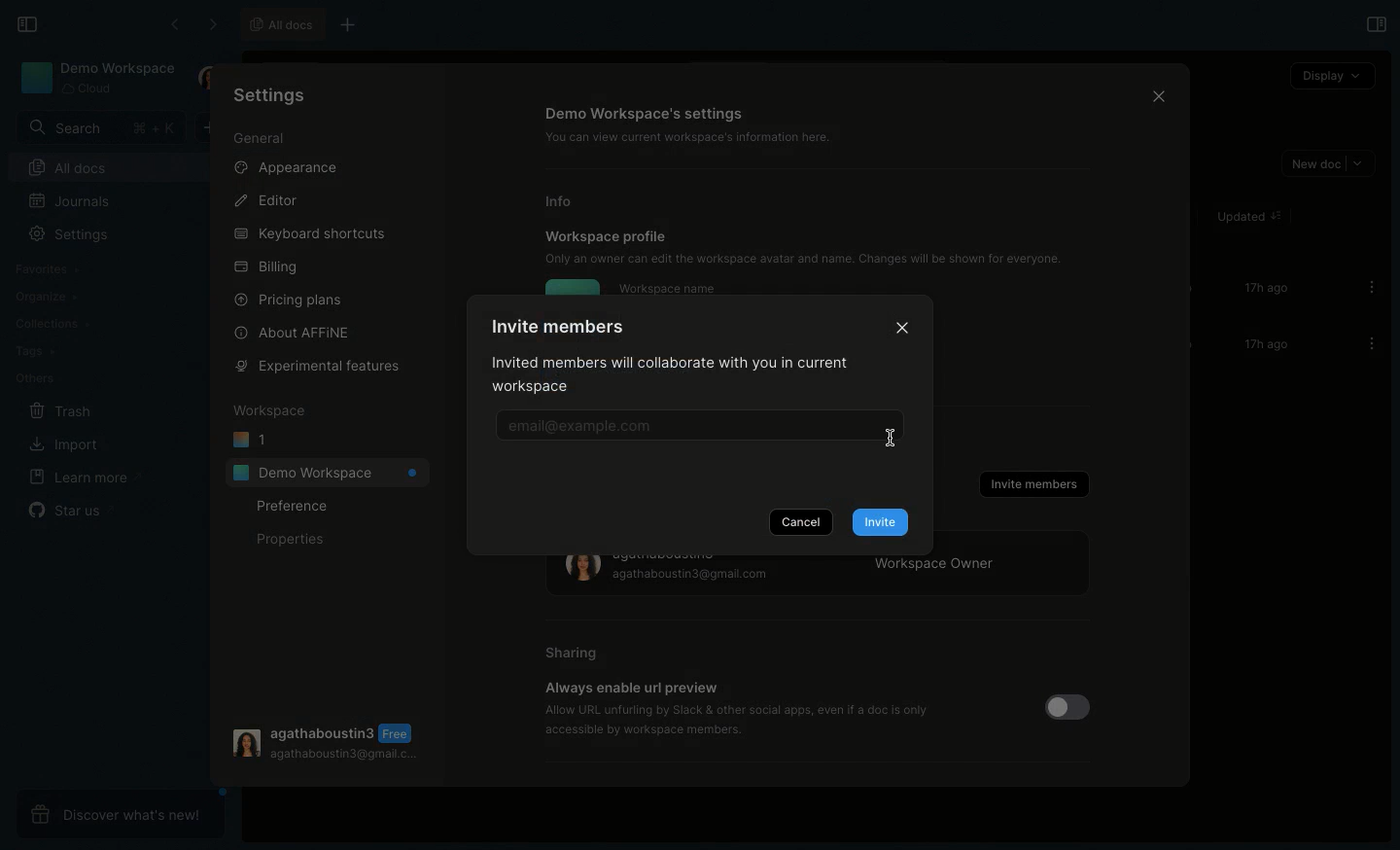 The height and width of the screenshot is (850, 1400). What do you see at coordinates (357, 23) in the screenshot?
I see `New tab` at bounding box center [357, 23].